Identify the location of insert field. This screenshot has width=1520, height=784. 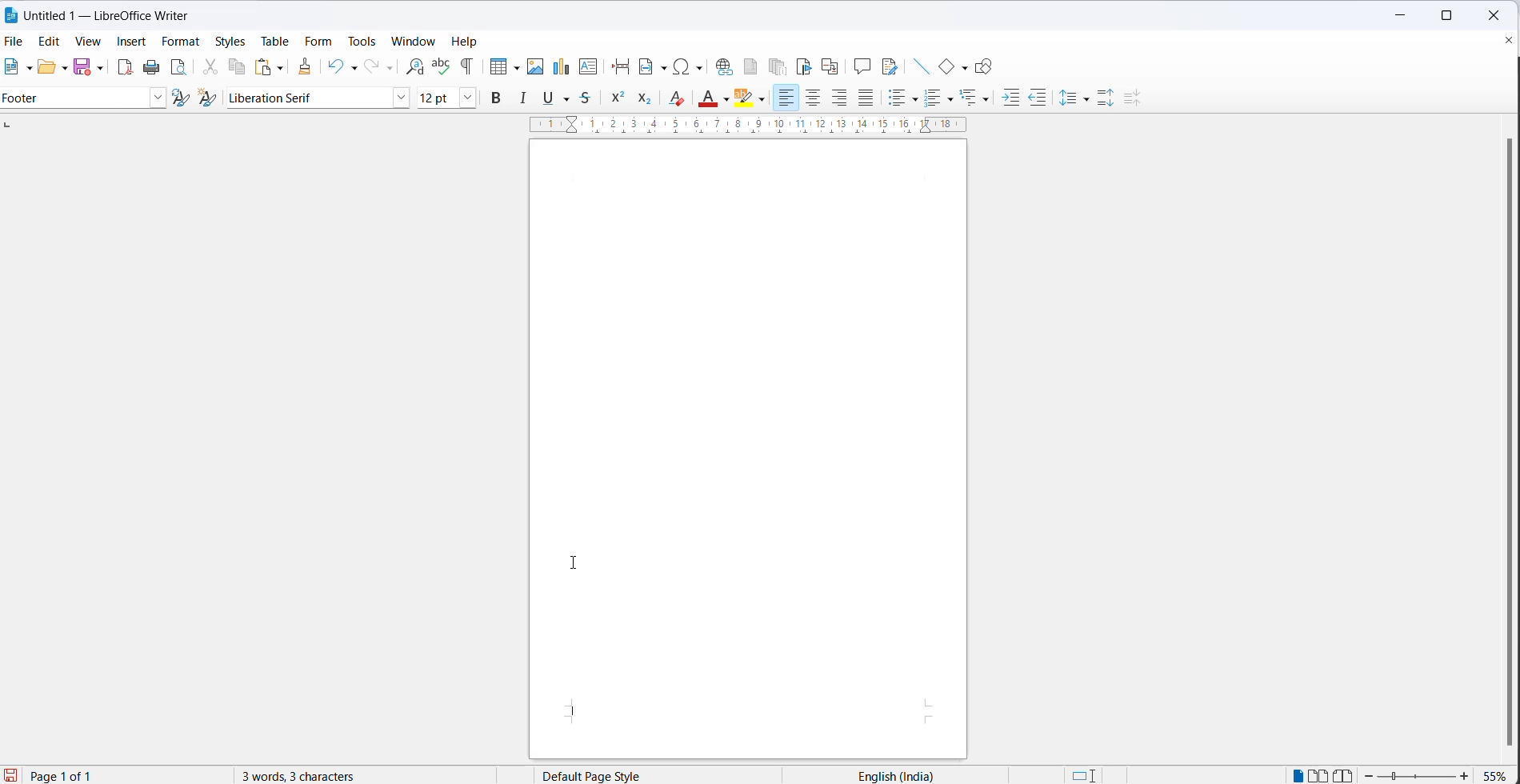
(651, 67).